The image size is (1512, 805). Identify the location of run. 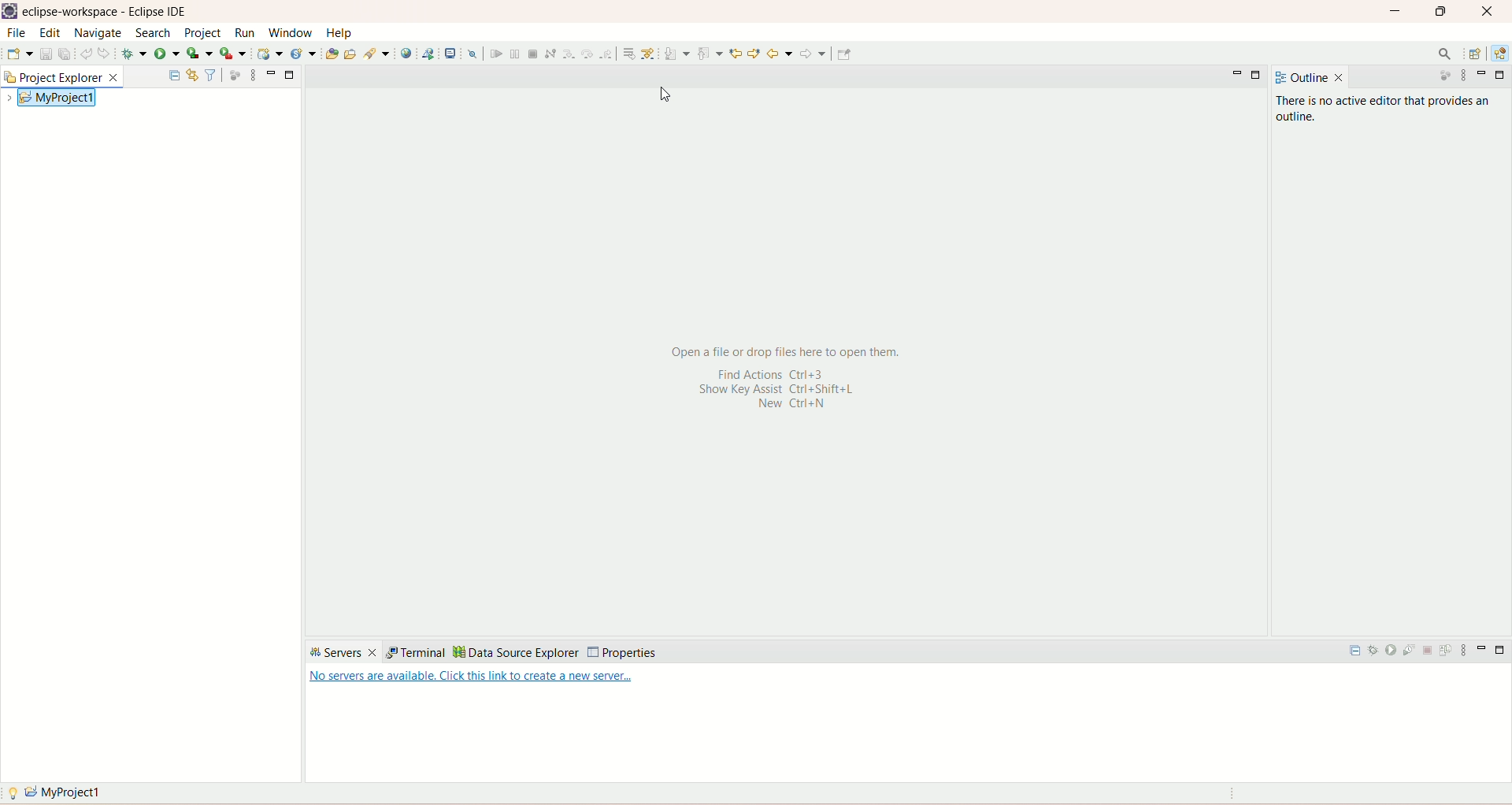
(246, 34).